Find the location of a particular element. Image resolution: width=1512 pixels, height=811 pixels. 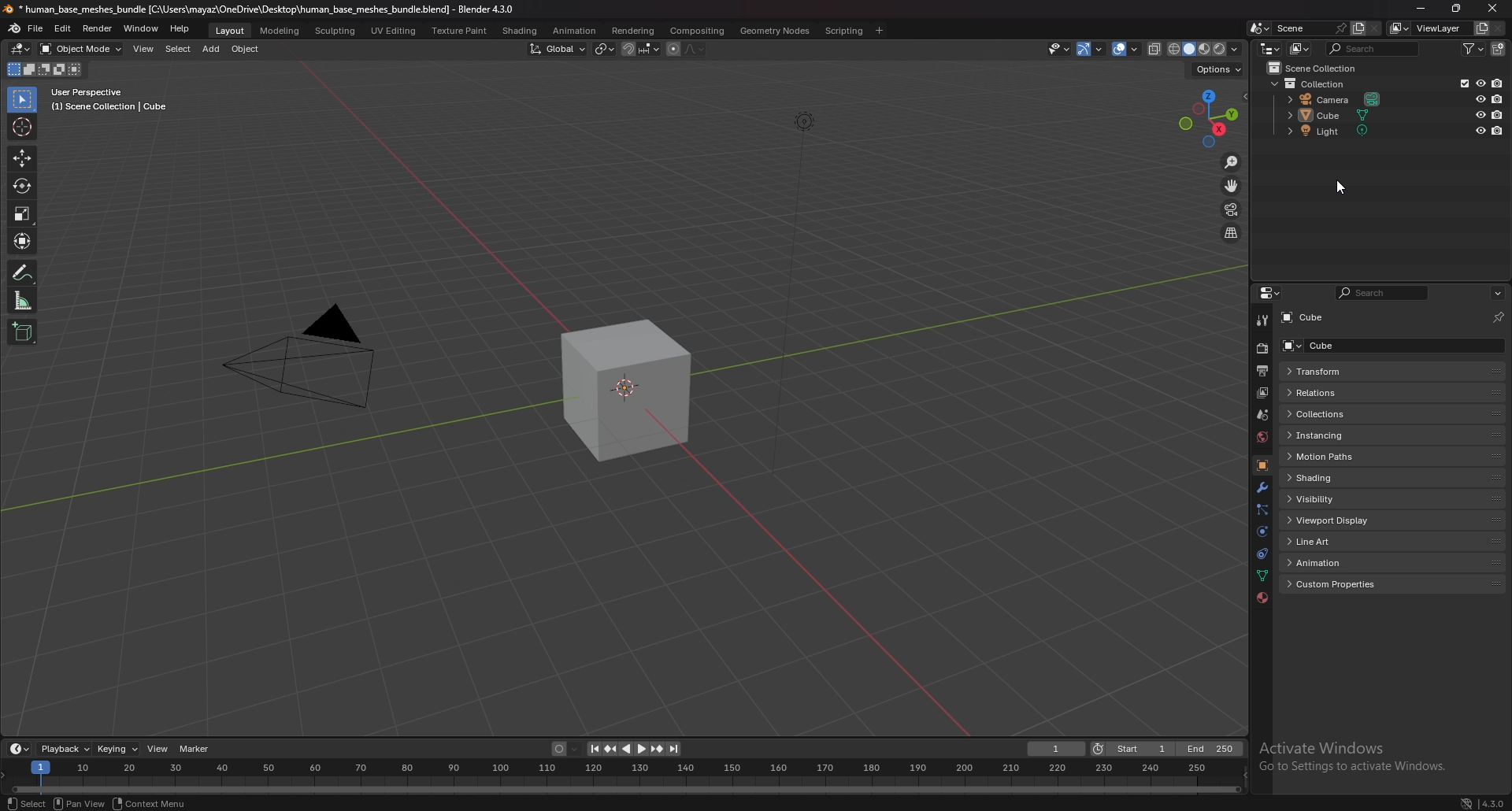

object is located at coordinates (1262, 466).